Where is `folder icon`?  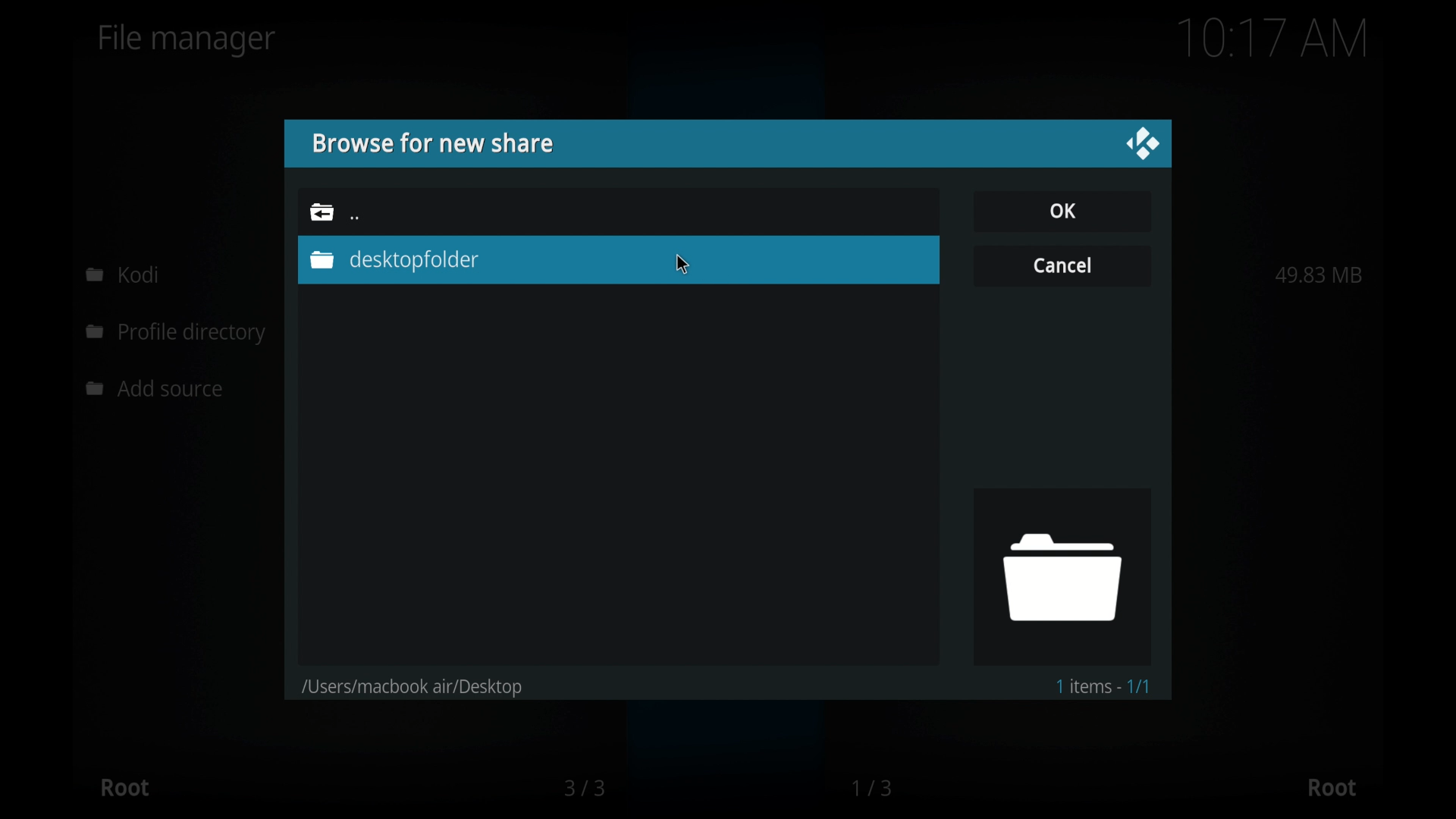 folder icon is located at coordinates (1061, 576).